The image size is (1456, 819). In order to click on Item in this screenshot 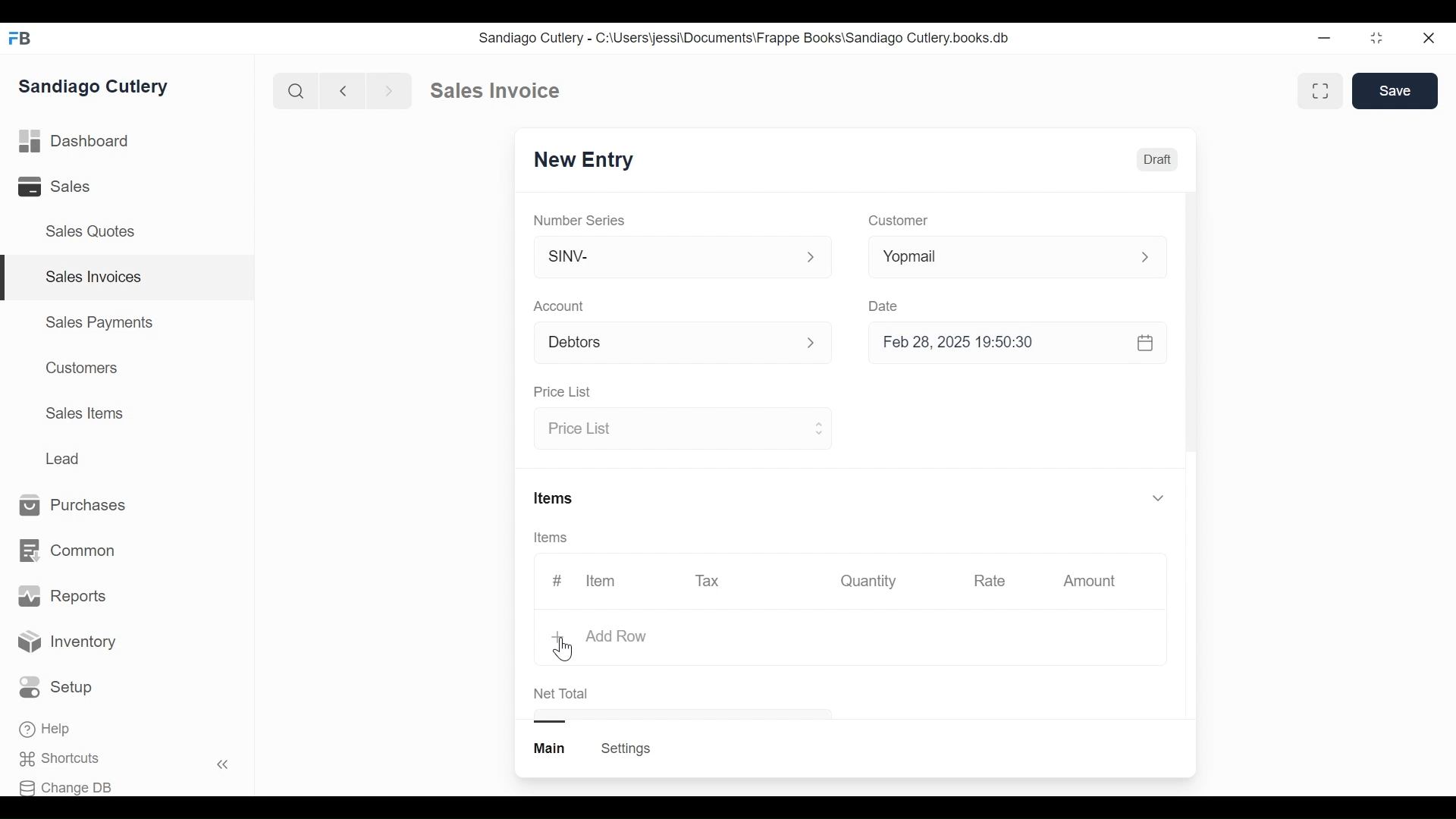, I will do `click(602, 581)`.